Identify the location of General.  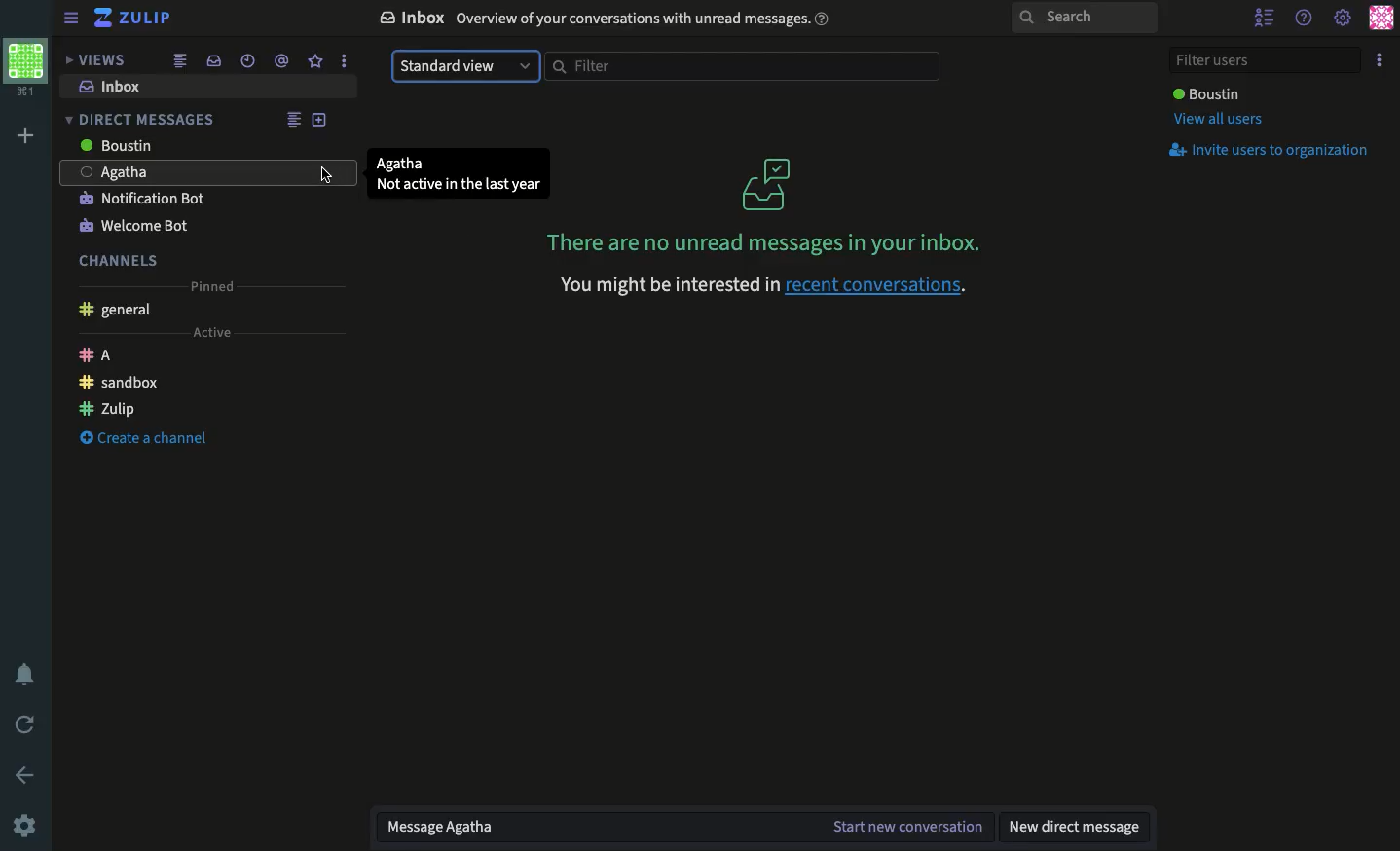
(119, 311).